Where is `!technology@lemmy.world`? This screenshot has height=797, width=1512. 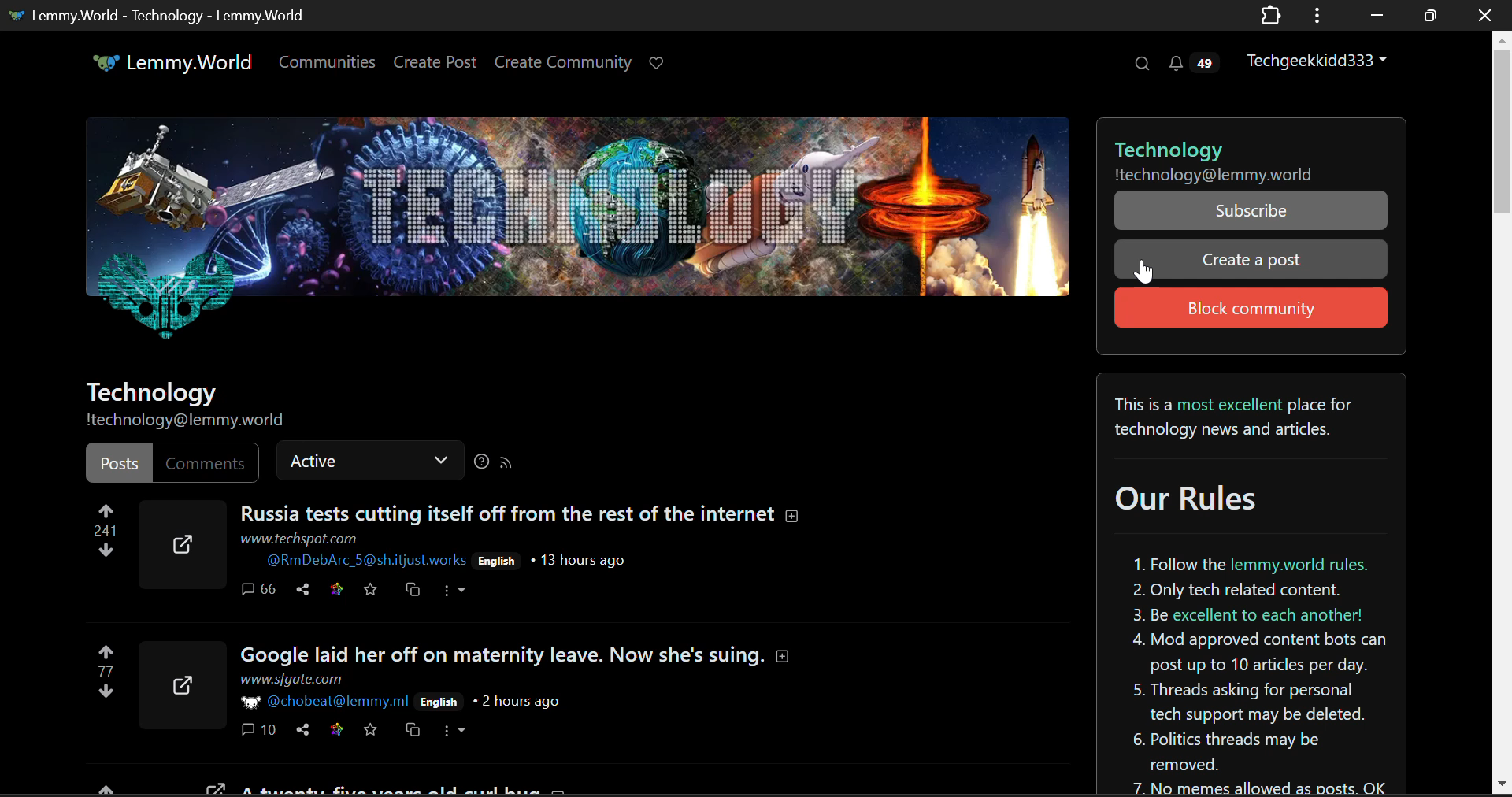
!technology@lemmy.world is located at coordinates (1243, 174).